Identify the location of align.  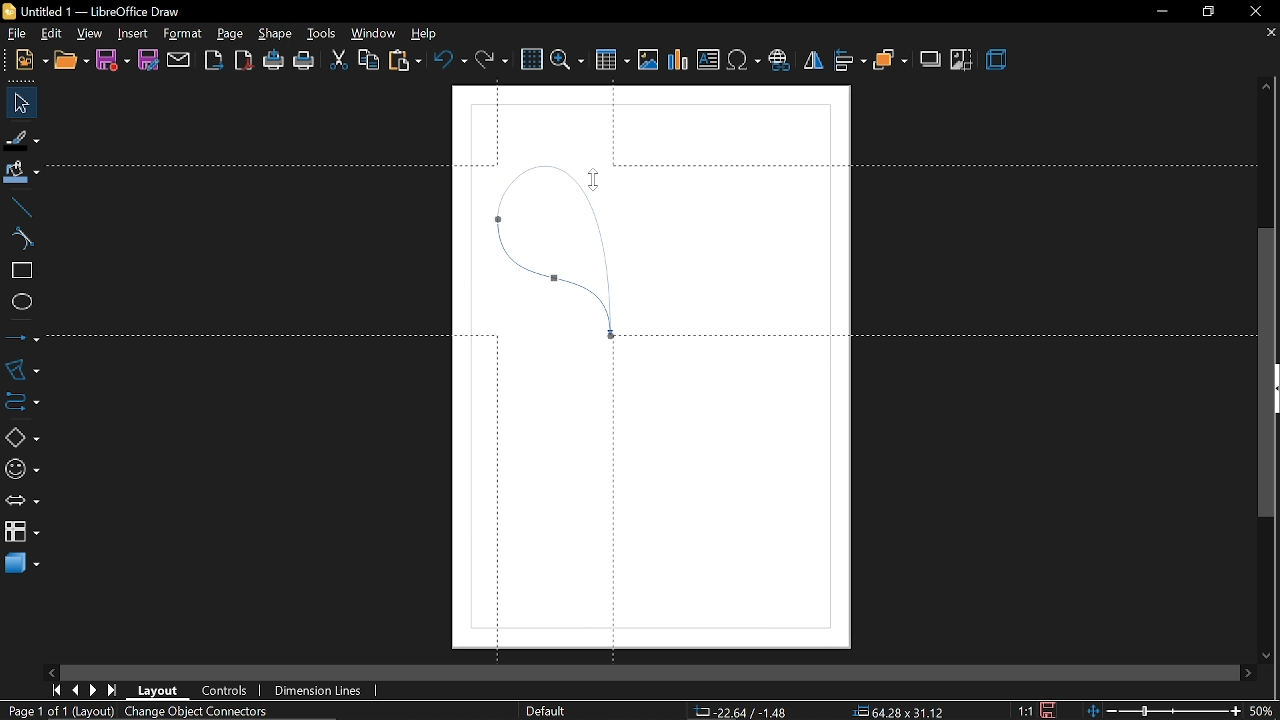
(850, 62).